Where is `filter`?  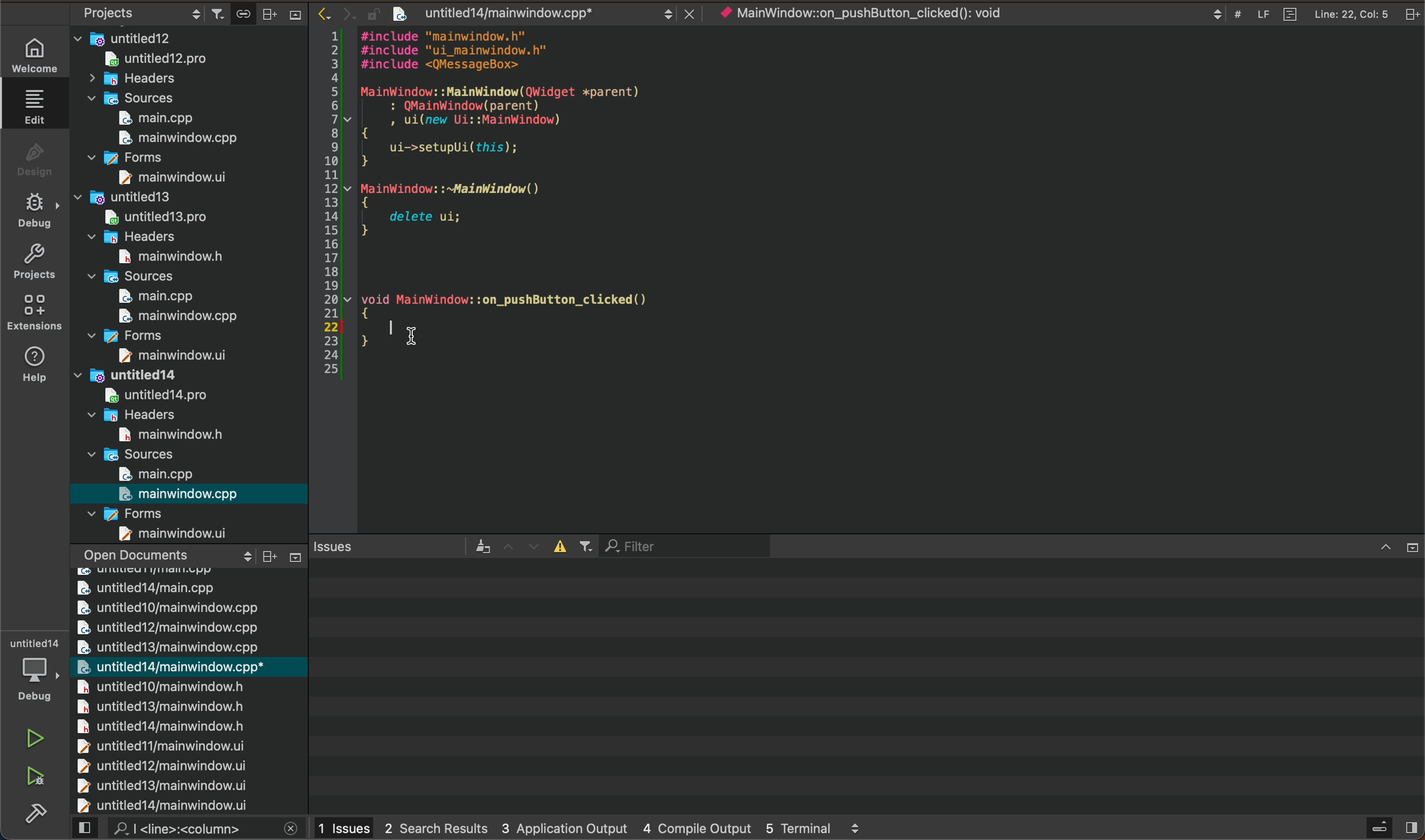
filter is located at coordinates (683, 545).